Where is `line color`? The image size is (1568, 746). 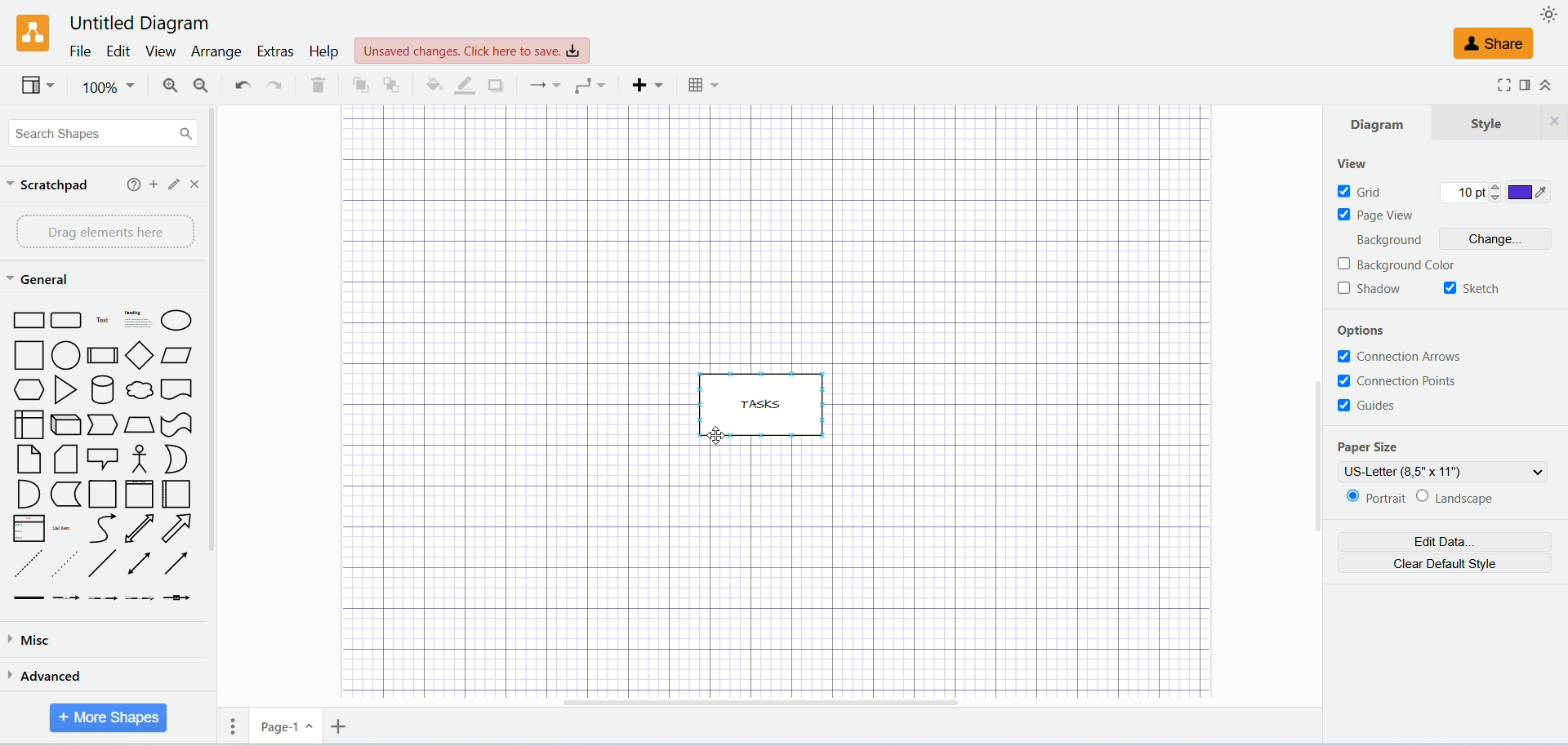
line color is located at coordinates (459, 84).